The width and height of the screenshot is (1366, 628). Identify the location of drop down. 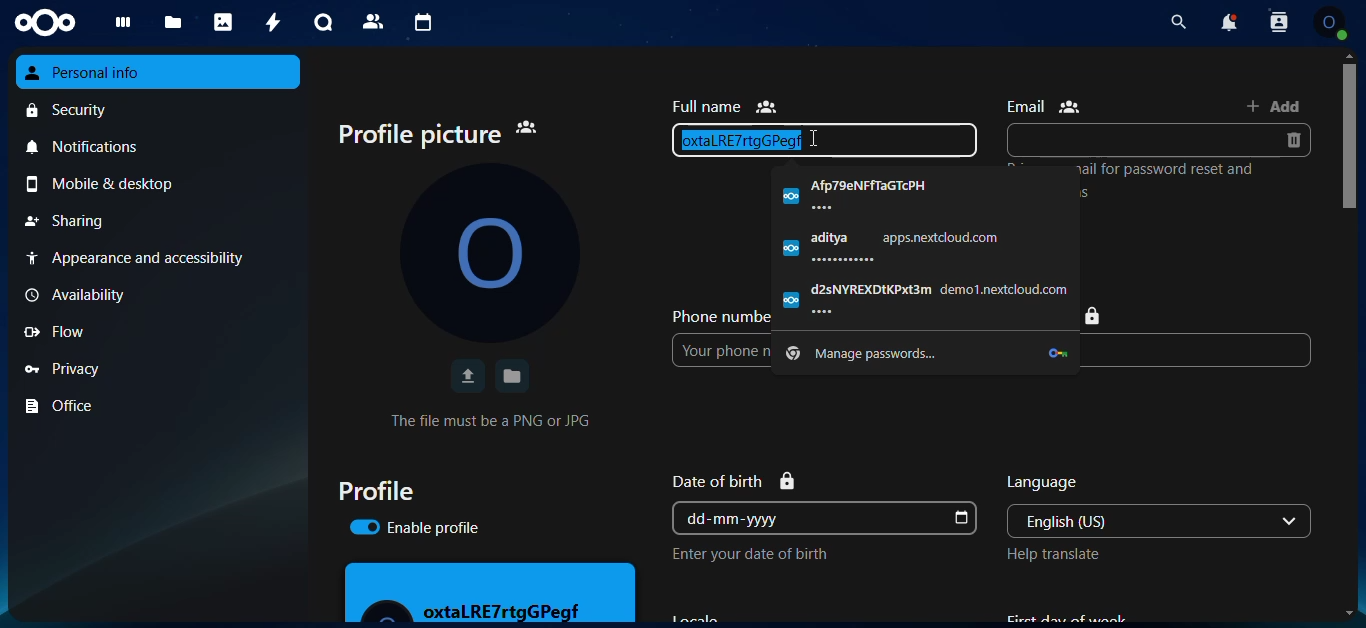
(1290, 521).